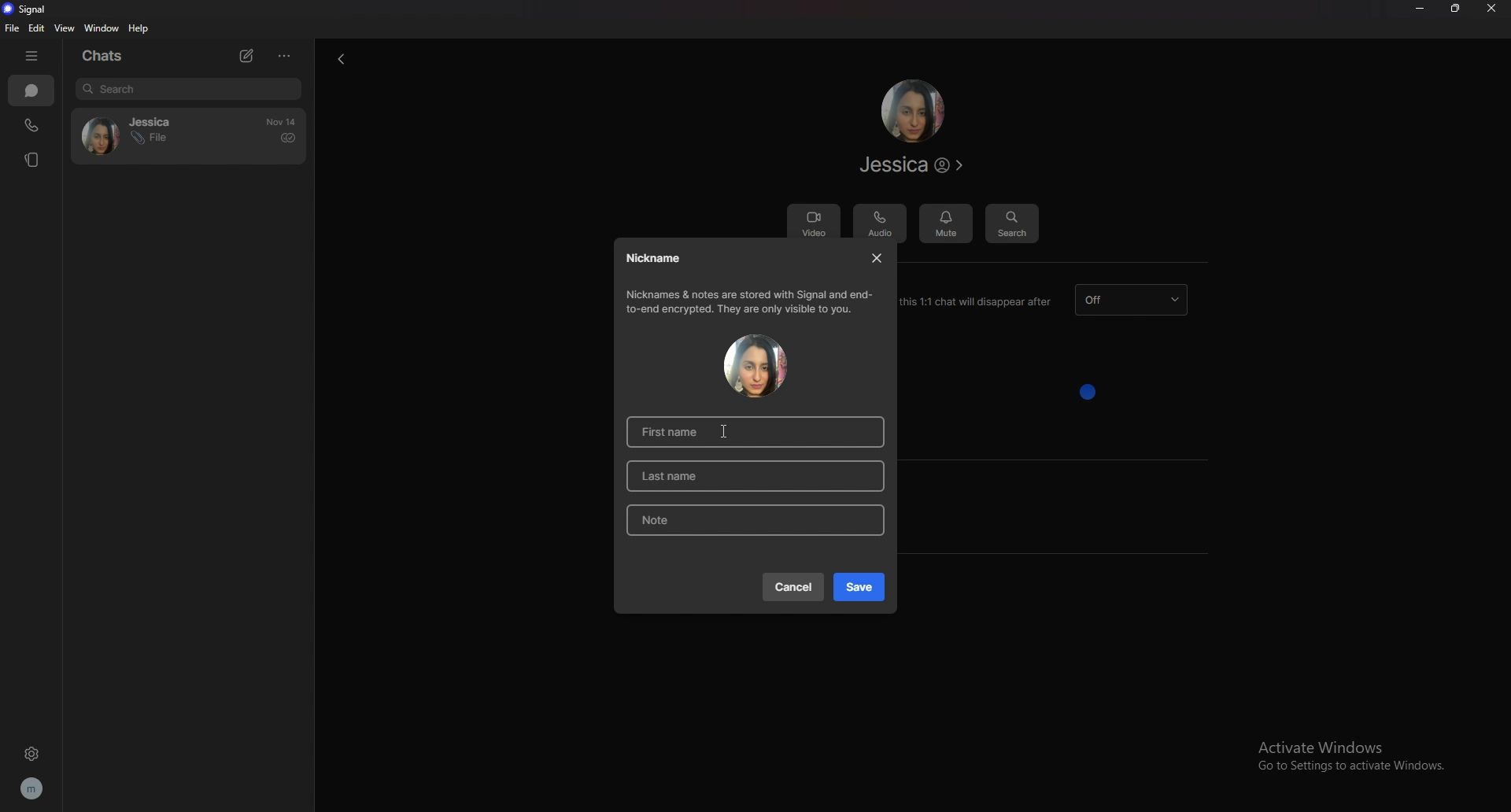 Image resolution: width=1511 pixels, height=812 pixels. Describe the element at coordinates (34, 123) in the screenshot. I see `calls` at that location.